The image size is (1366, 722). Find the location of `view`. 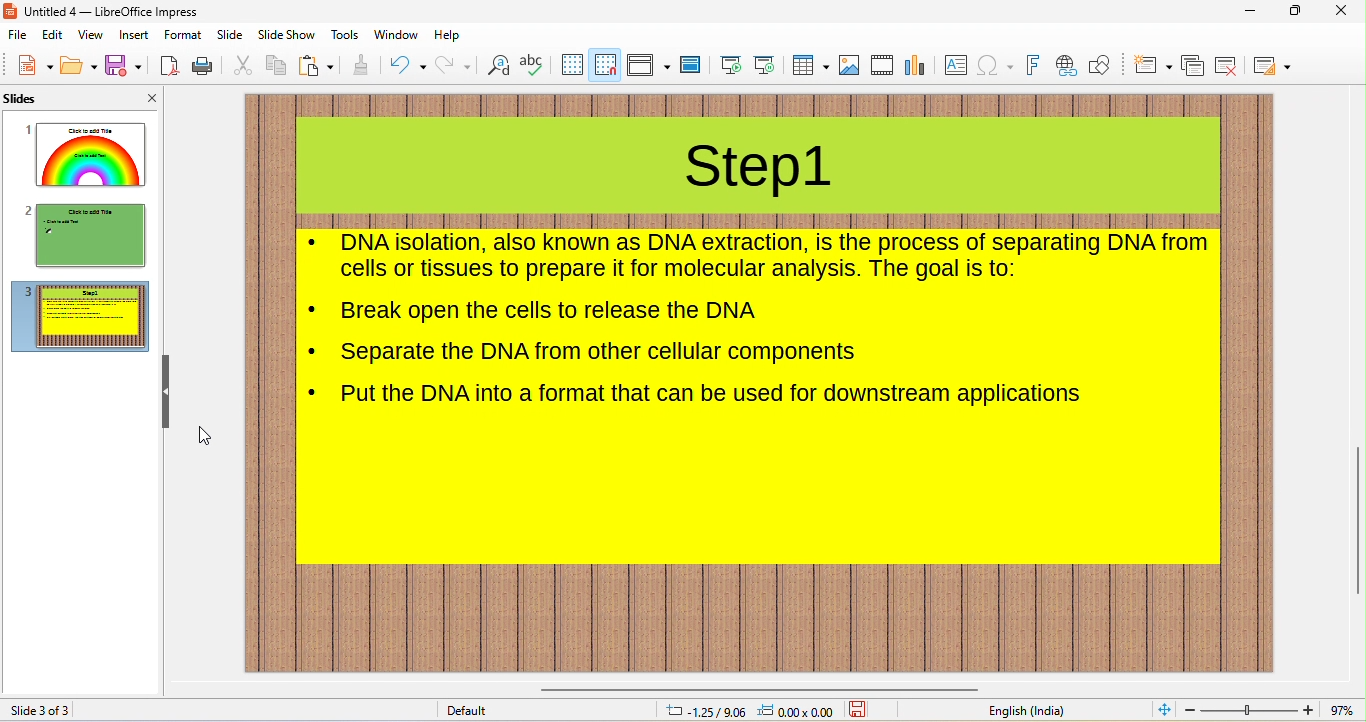

view is located at coordinates (90, 35).